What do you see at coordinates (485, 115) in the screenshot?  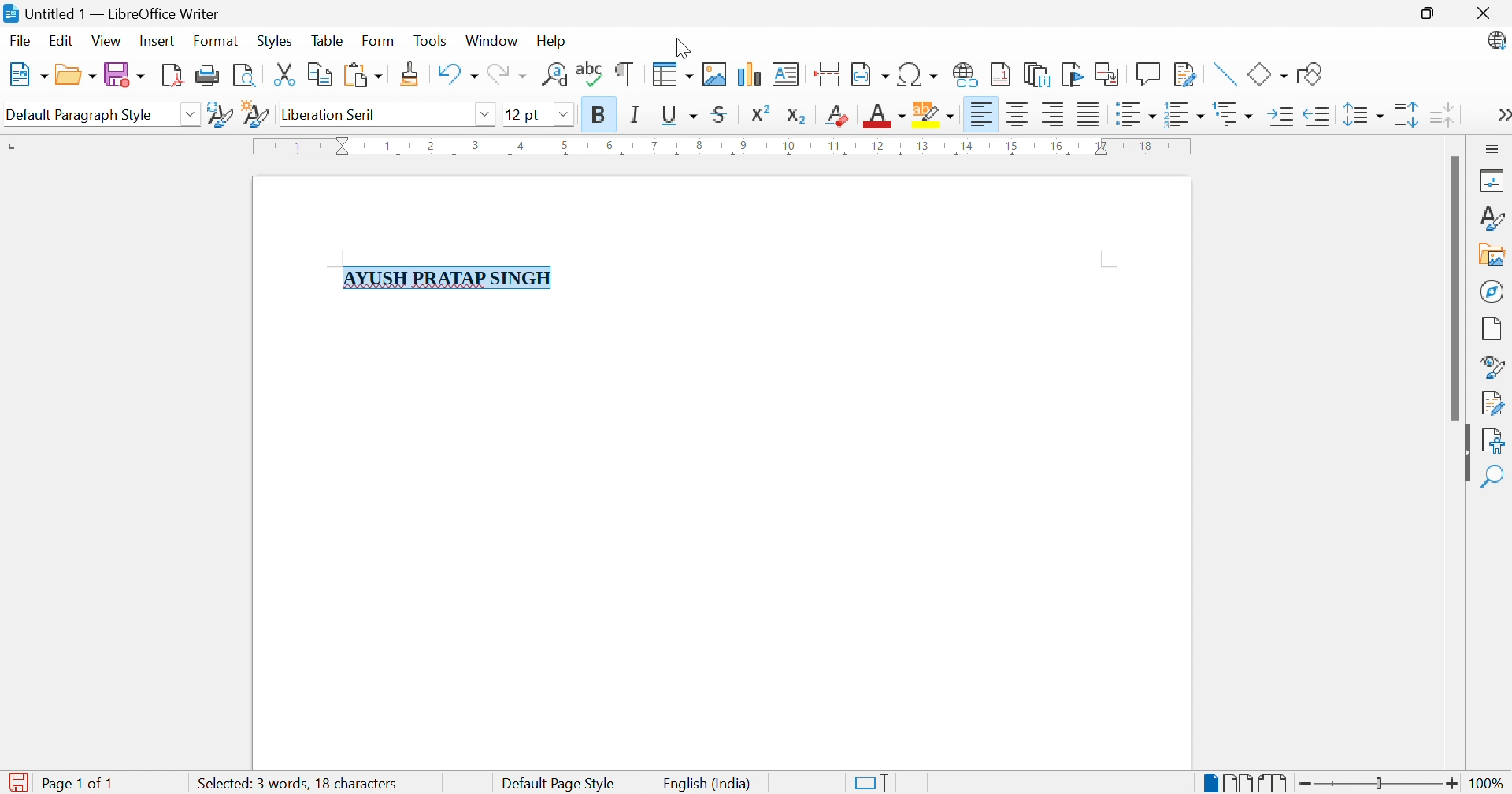 I see `Drop Down` at bounding box center [485, 115].